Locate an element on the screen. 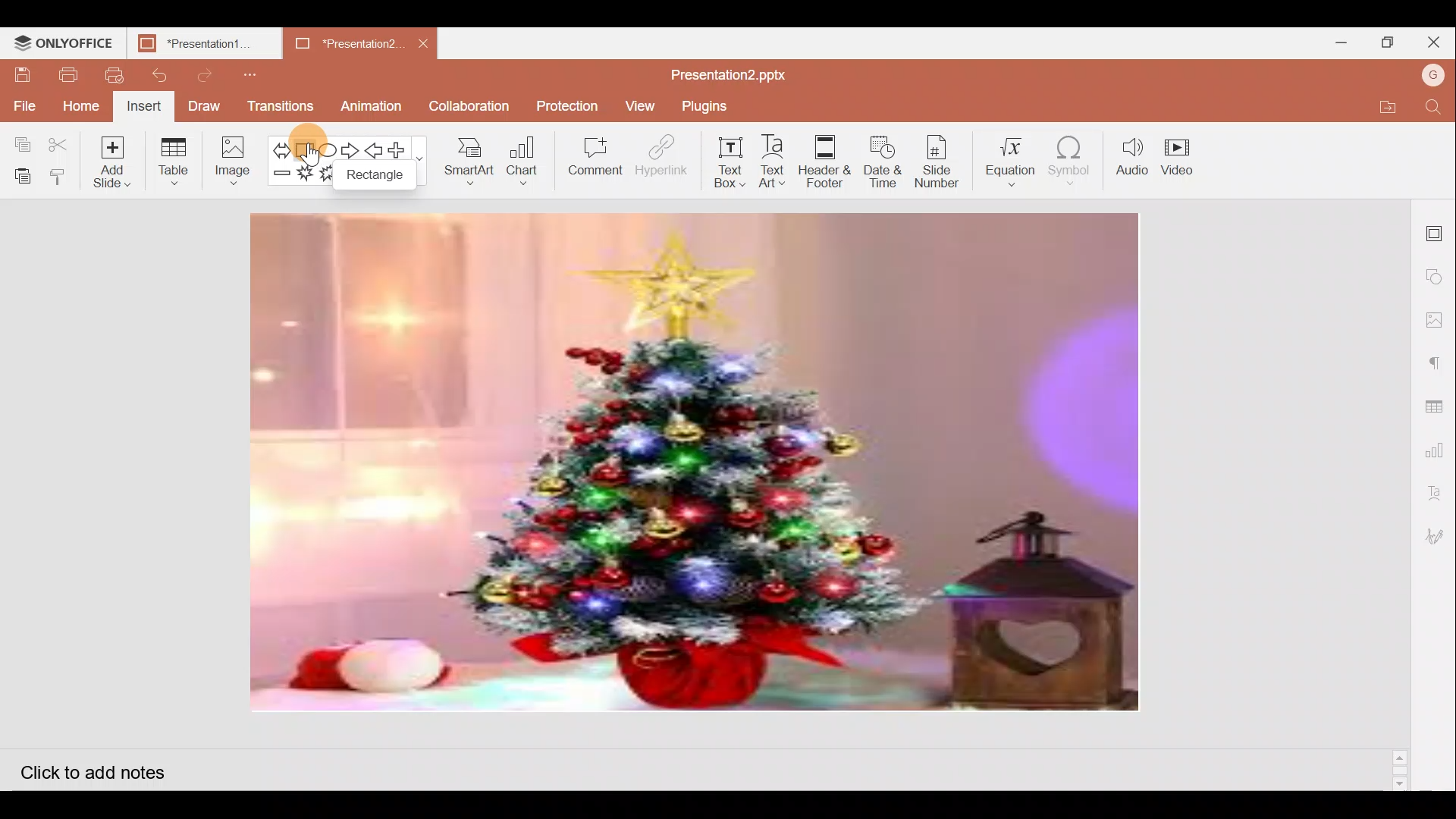  Save is located at coordinates (22, 75).